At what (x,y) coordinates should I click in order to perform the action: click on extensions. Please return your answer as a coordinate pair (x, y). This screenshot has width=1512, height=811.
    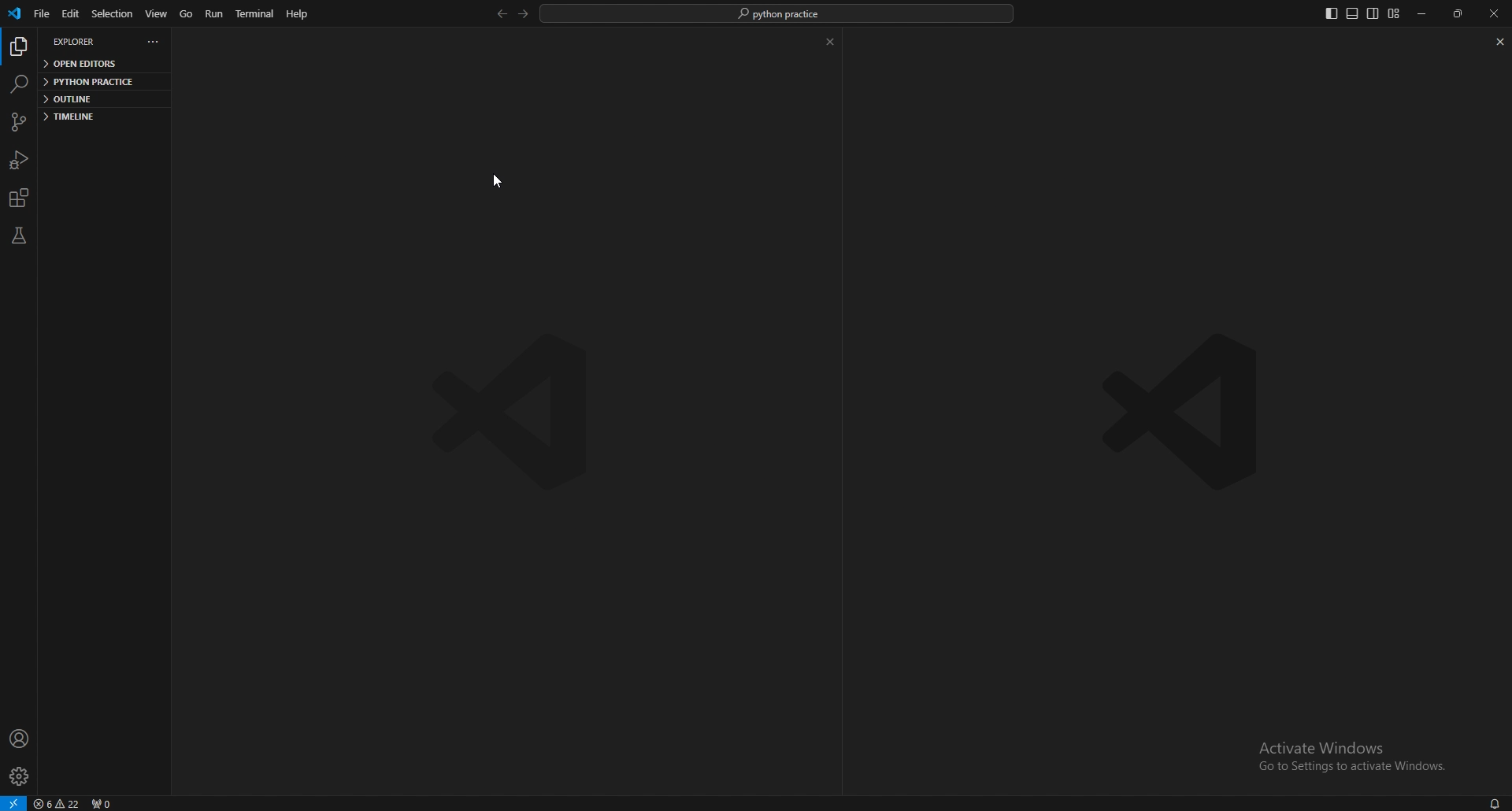
    Looking at the image, I should click on (22, 198).